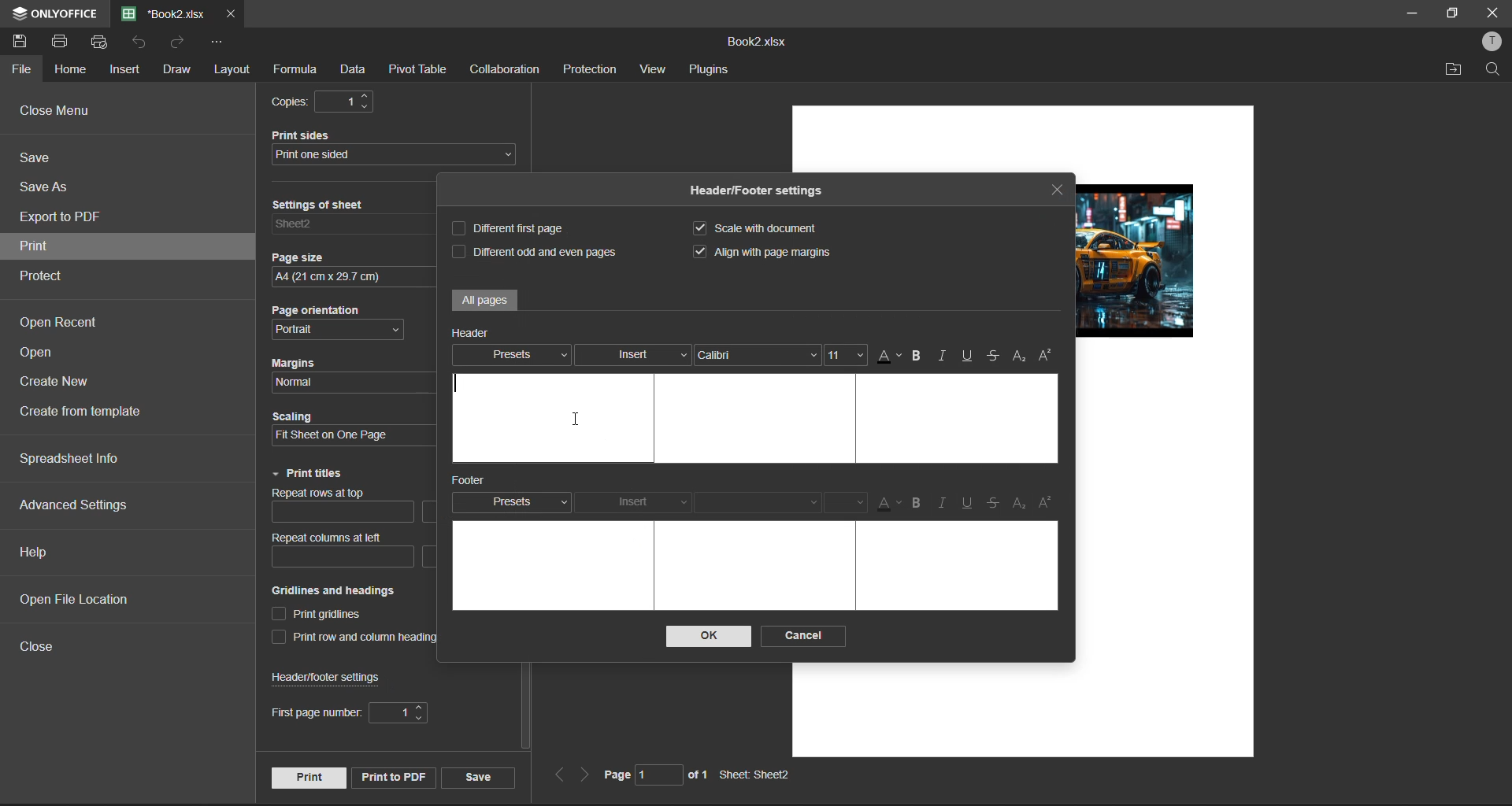  I want to click on subscript, so click(1020, 503).